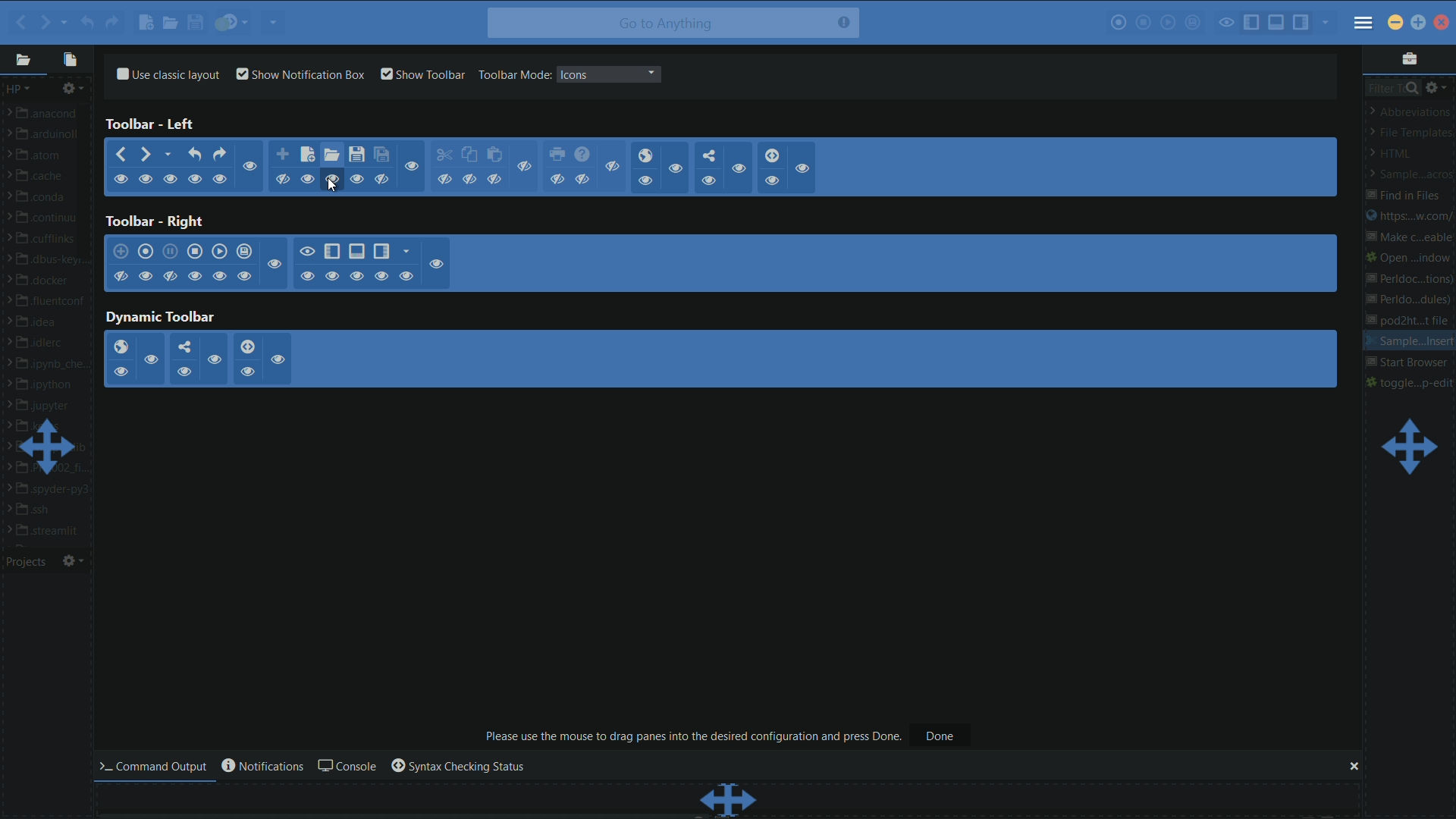  I want to click on hide/show, so click(245, 275).